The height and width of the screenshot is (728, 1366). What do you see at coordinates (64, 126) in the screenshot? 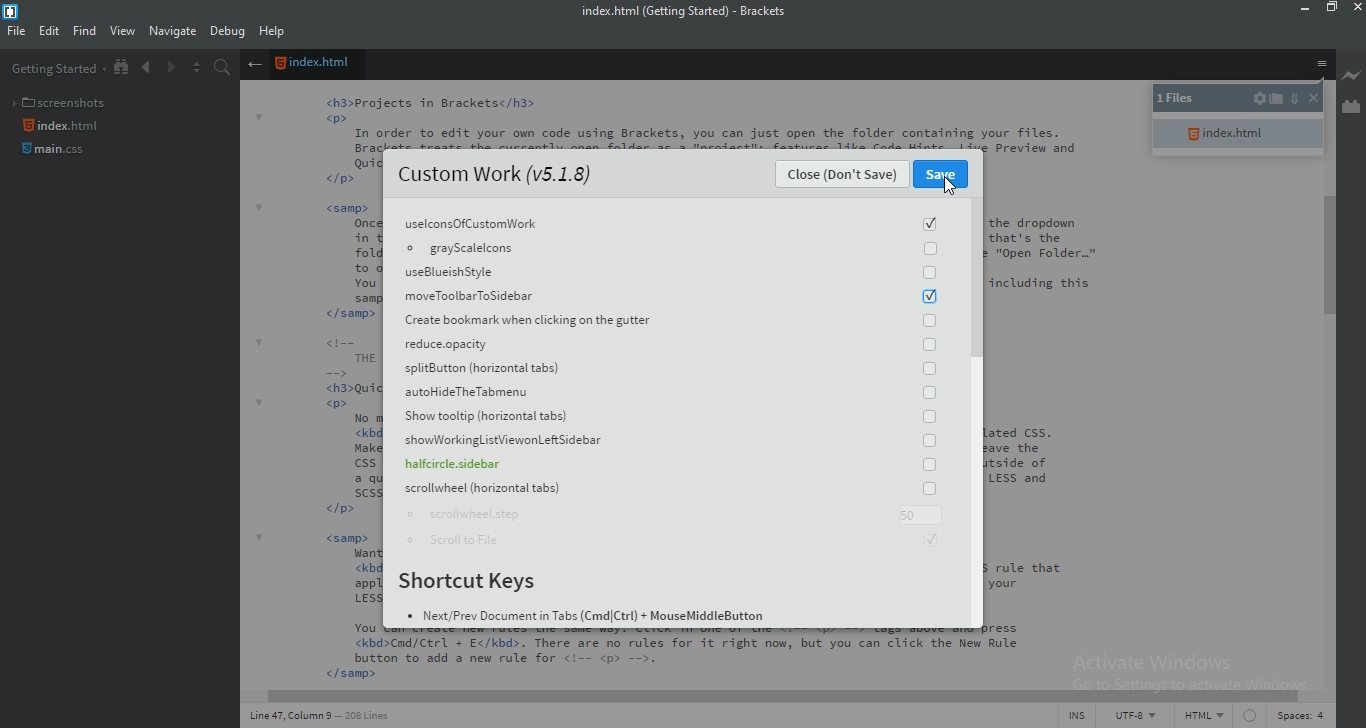
I see `Index.html` at bounding box center [64, 126].